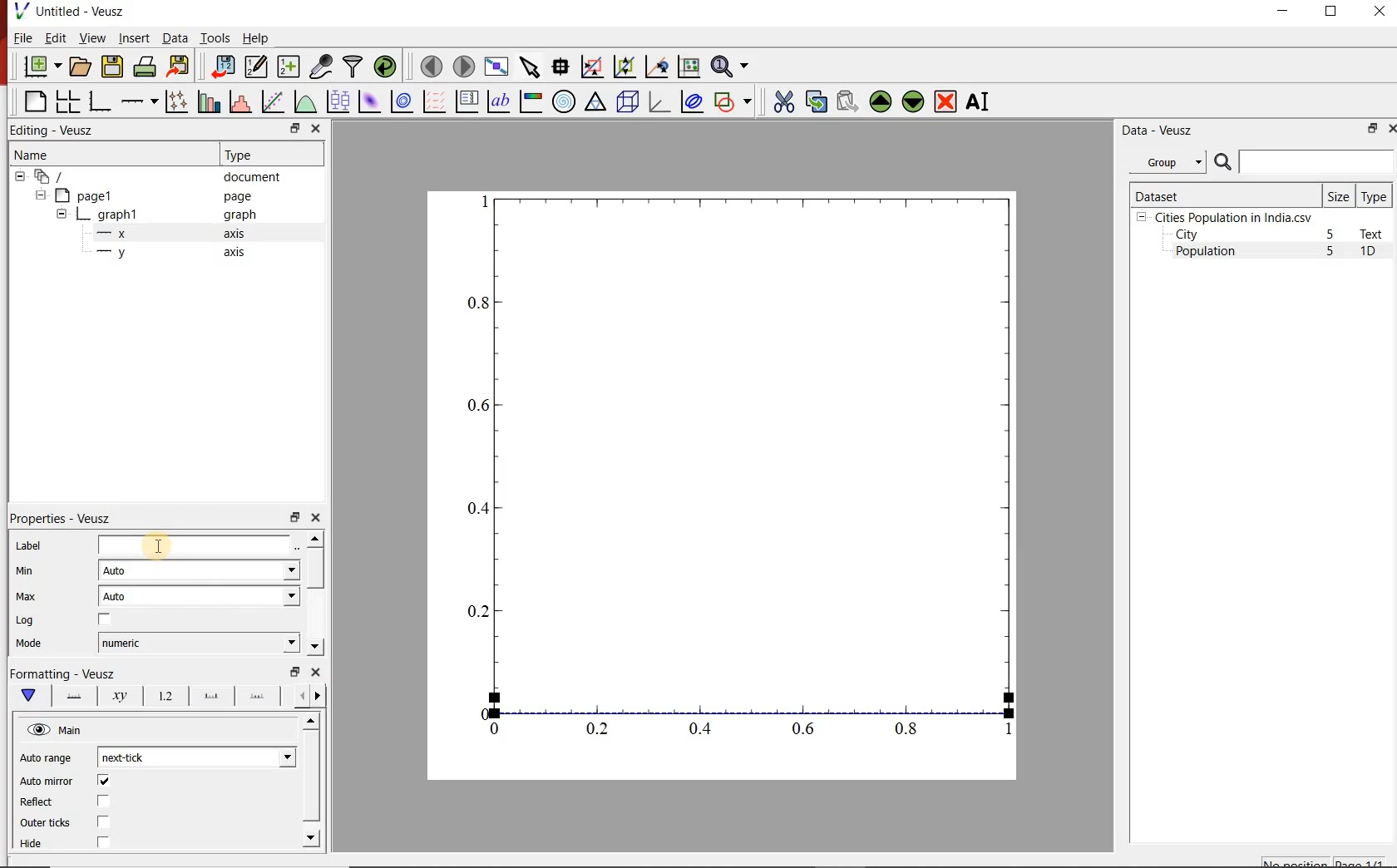 Image resolution: width=1397 pixels, height=868 pixels. What do you see at coordinates (67, 101) in the screenshot?
I see `arrange graphs in a grid` at bounding box center [67, 101].